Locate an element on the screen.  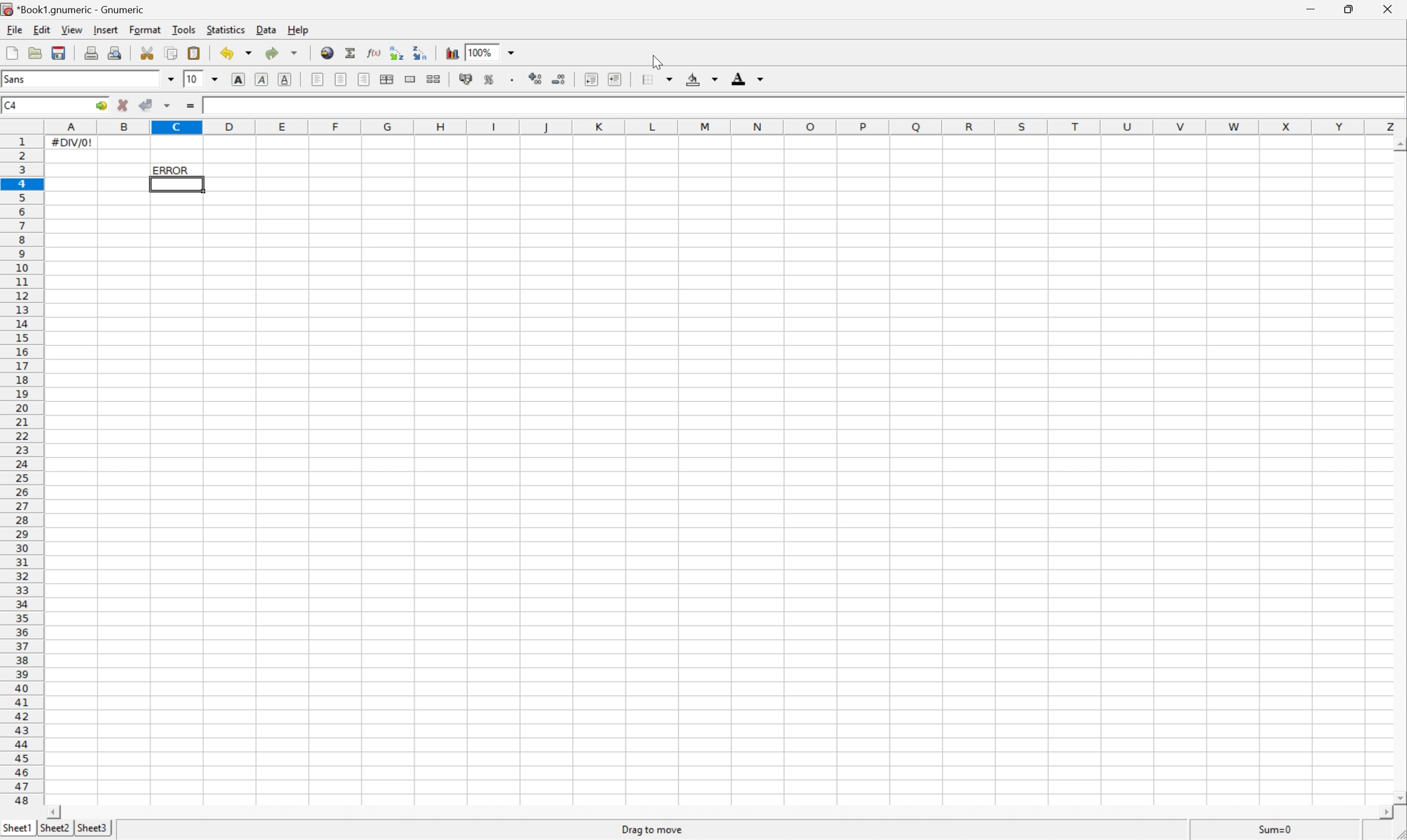
Sum=#DIV/0! is located at coordinates (1273, 828).